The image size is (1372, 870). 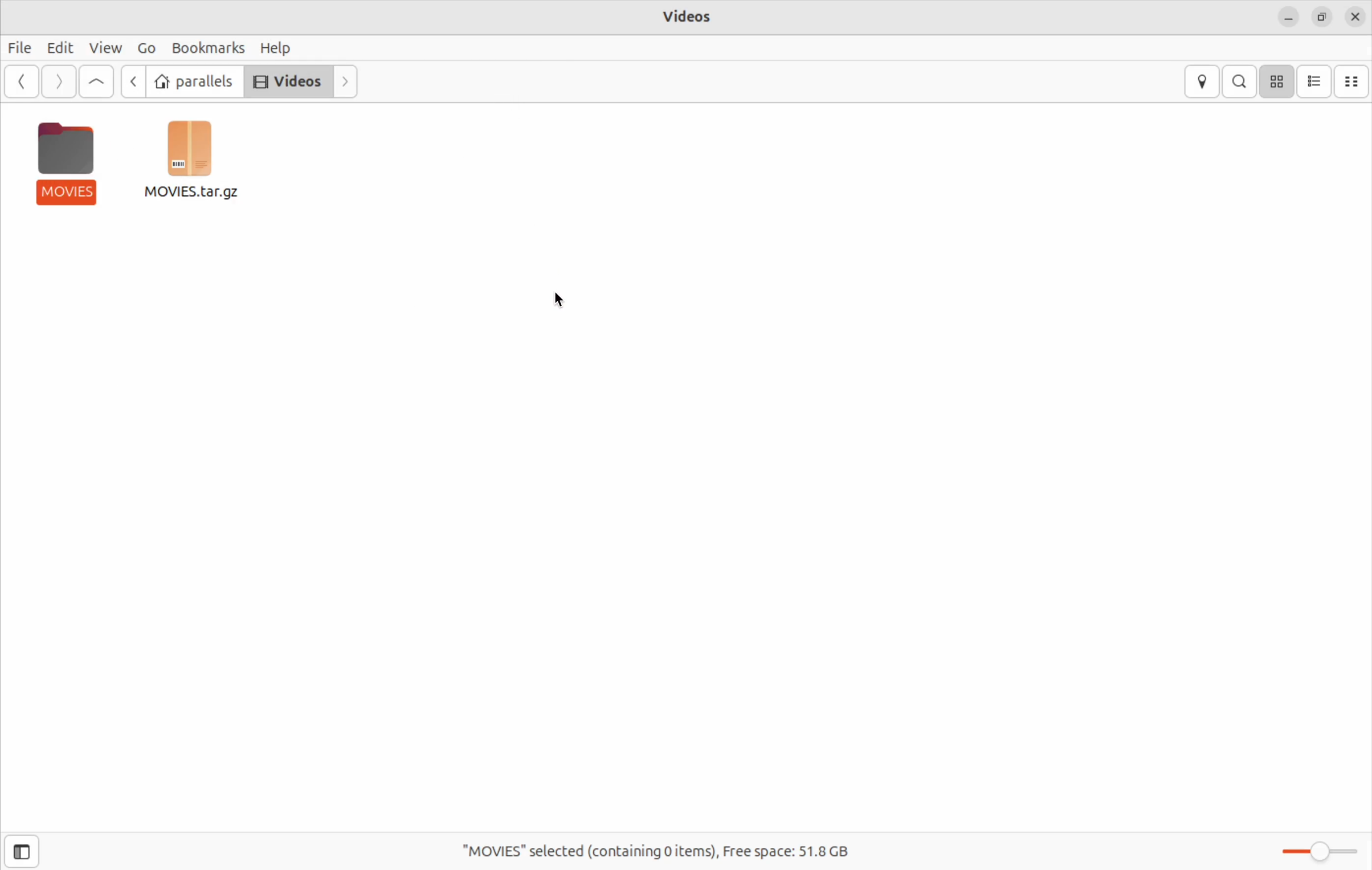 I want to click on go back, so click(x=132, y=81).